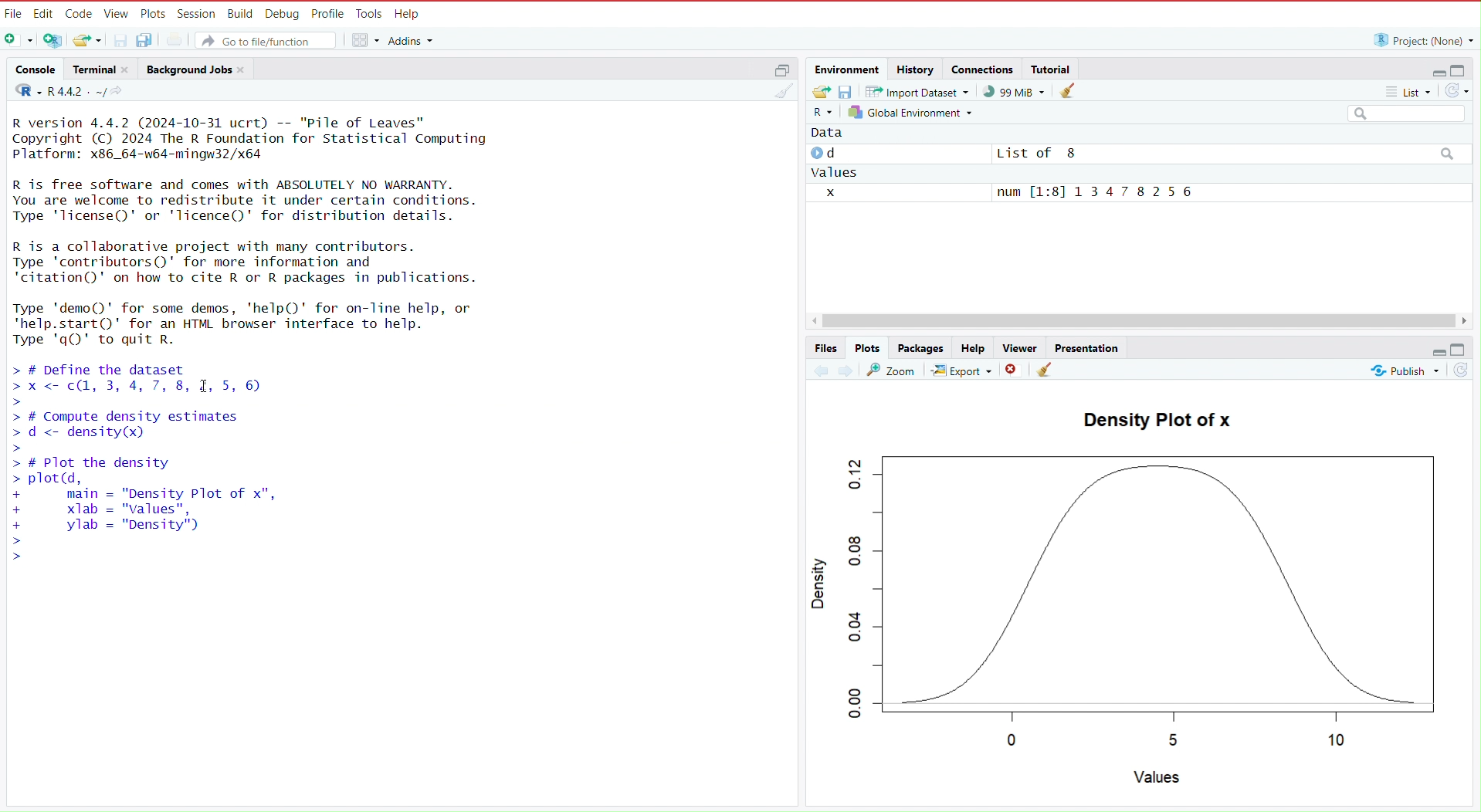  Describe the element at coordinates (167, 423) in the screenshot. I see `code to compute density estimates` at that location.